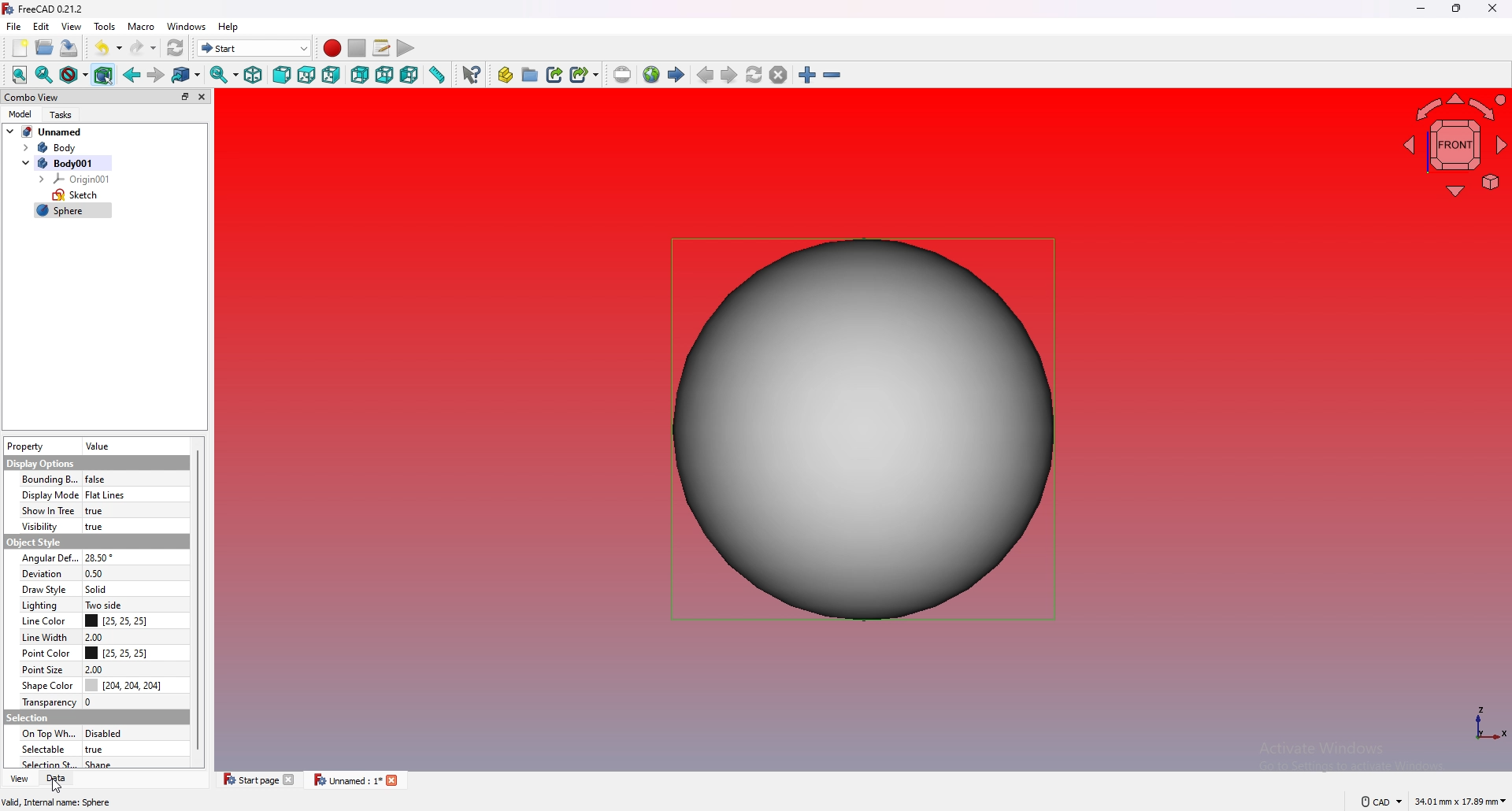  What do you see at coordinates (254, 48) in the screenshot?
I see `choose workbench` at bounding box center [254, 48].